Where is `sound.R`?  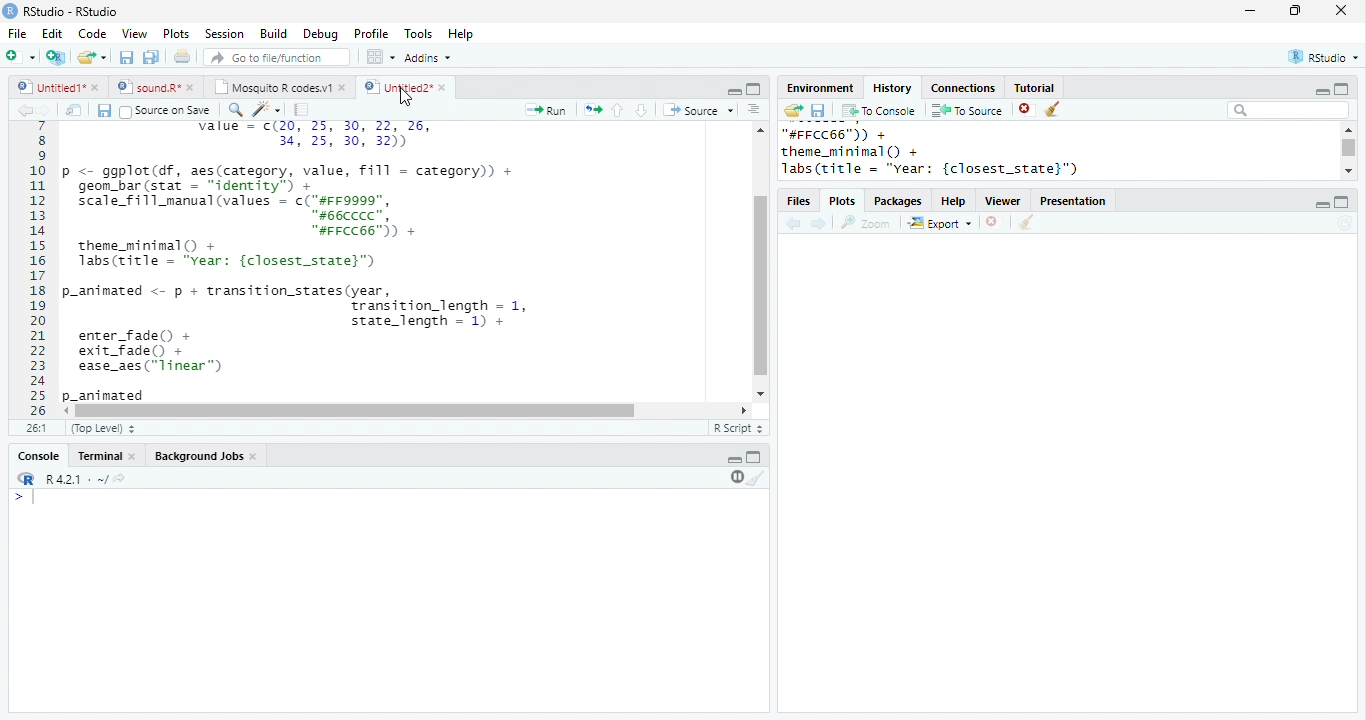 sound.R is located at coordinates (147, 88).